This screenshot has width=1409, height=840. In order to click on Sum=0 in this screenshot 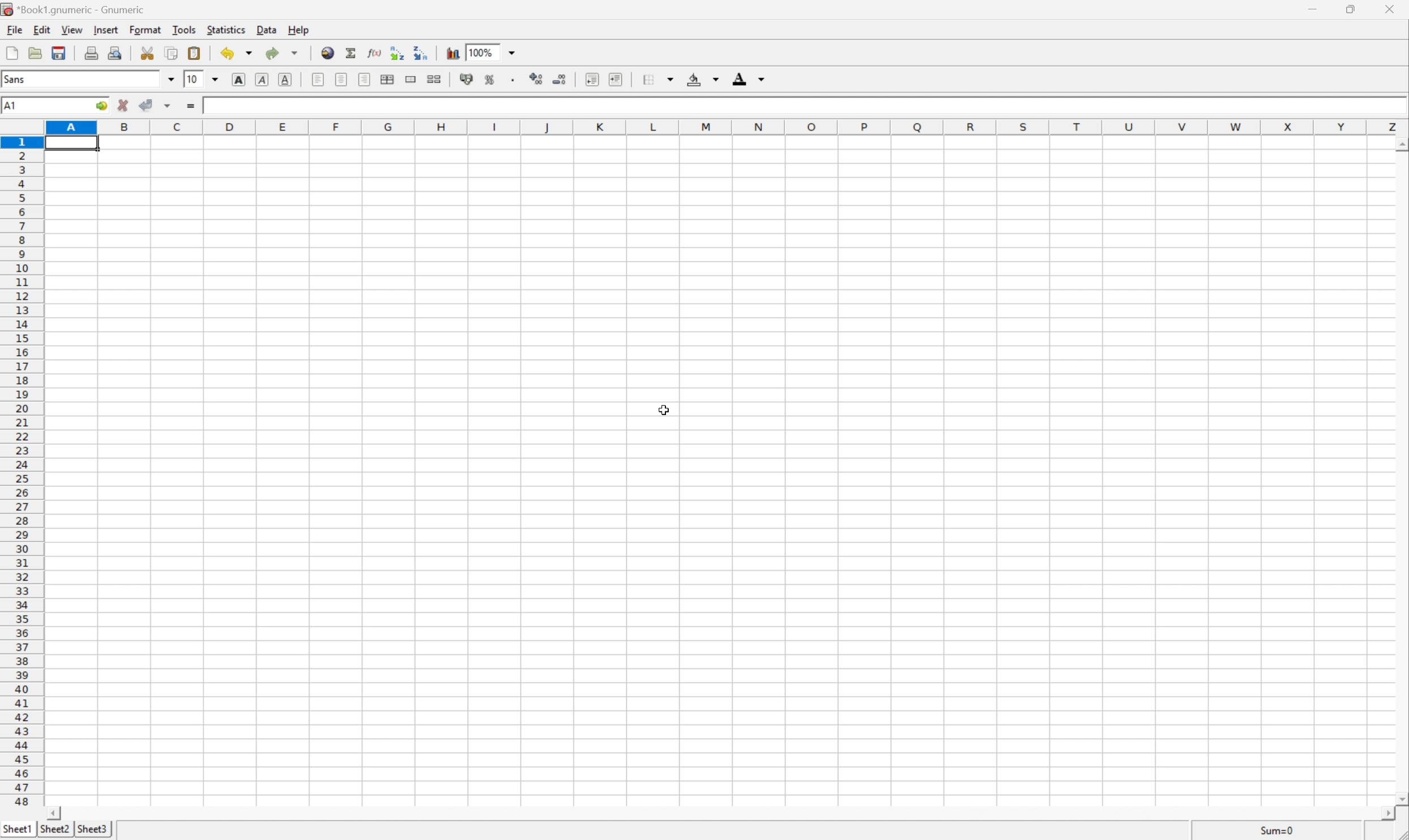, I will do `click(1274, 831)`.